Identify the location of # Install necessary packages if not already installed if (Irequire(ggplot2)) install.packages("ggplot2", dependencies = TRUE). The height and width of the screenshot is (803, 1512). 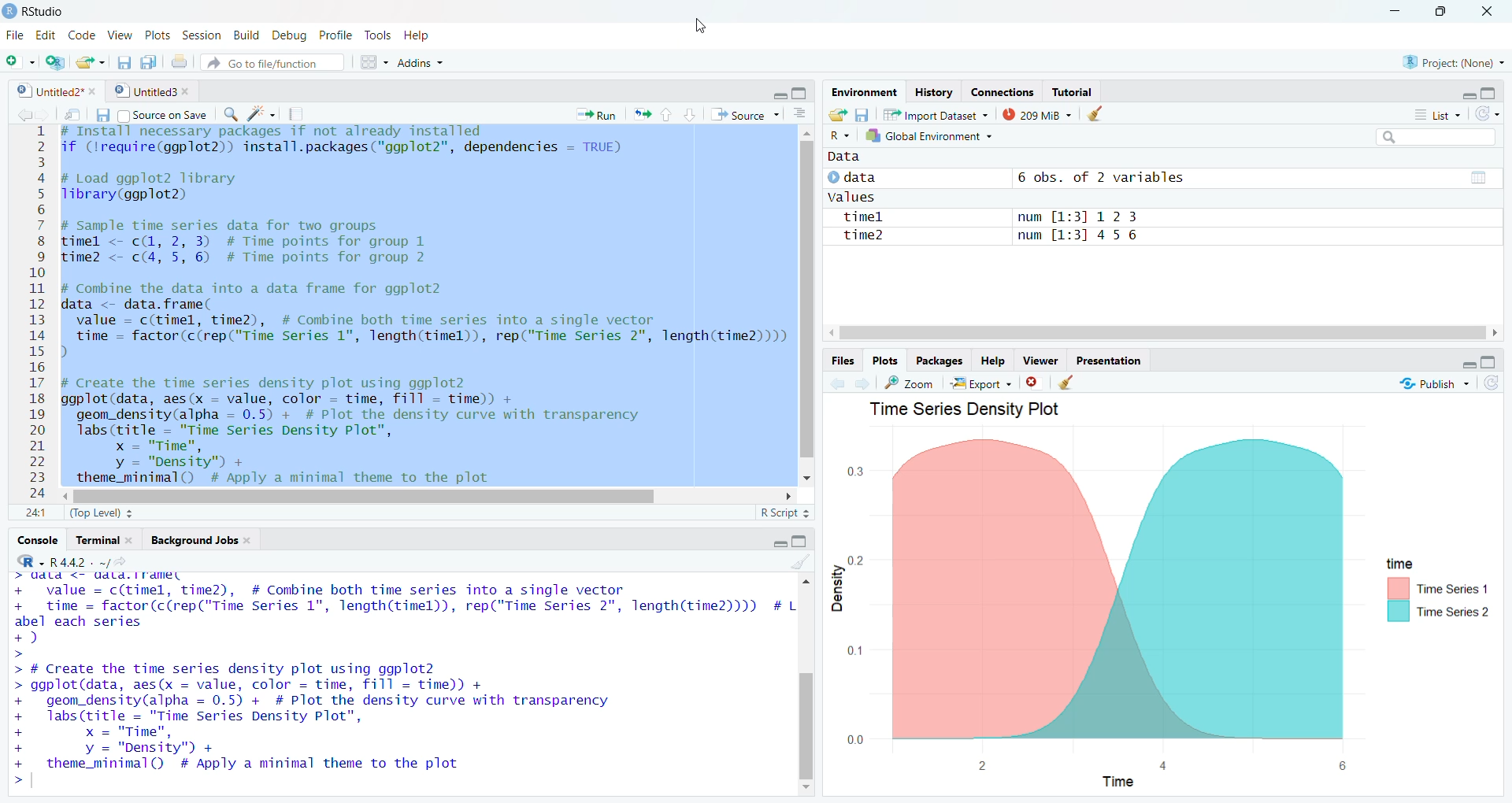
(344, 143).